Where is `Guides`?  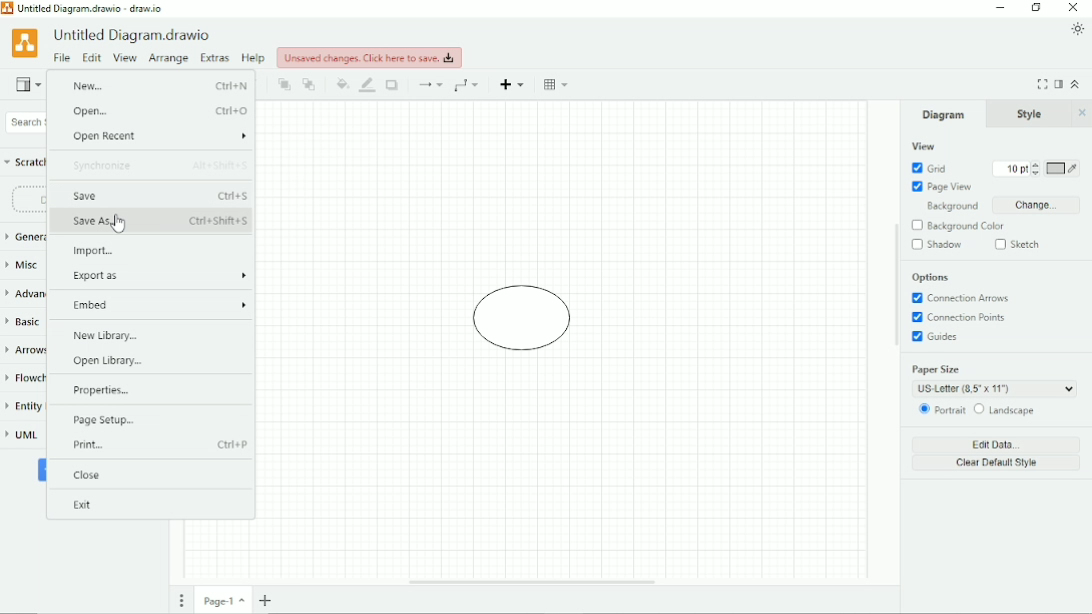 Guides is located at coordinates (936, 337).